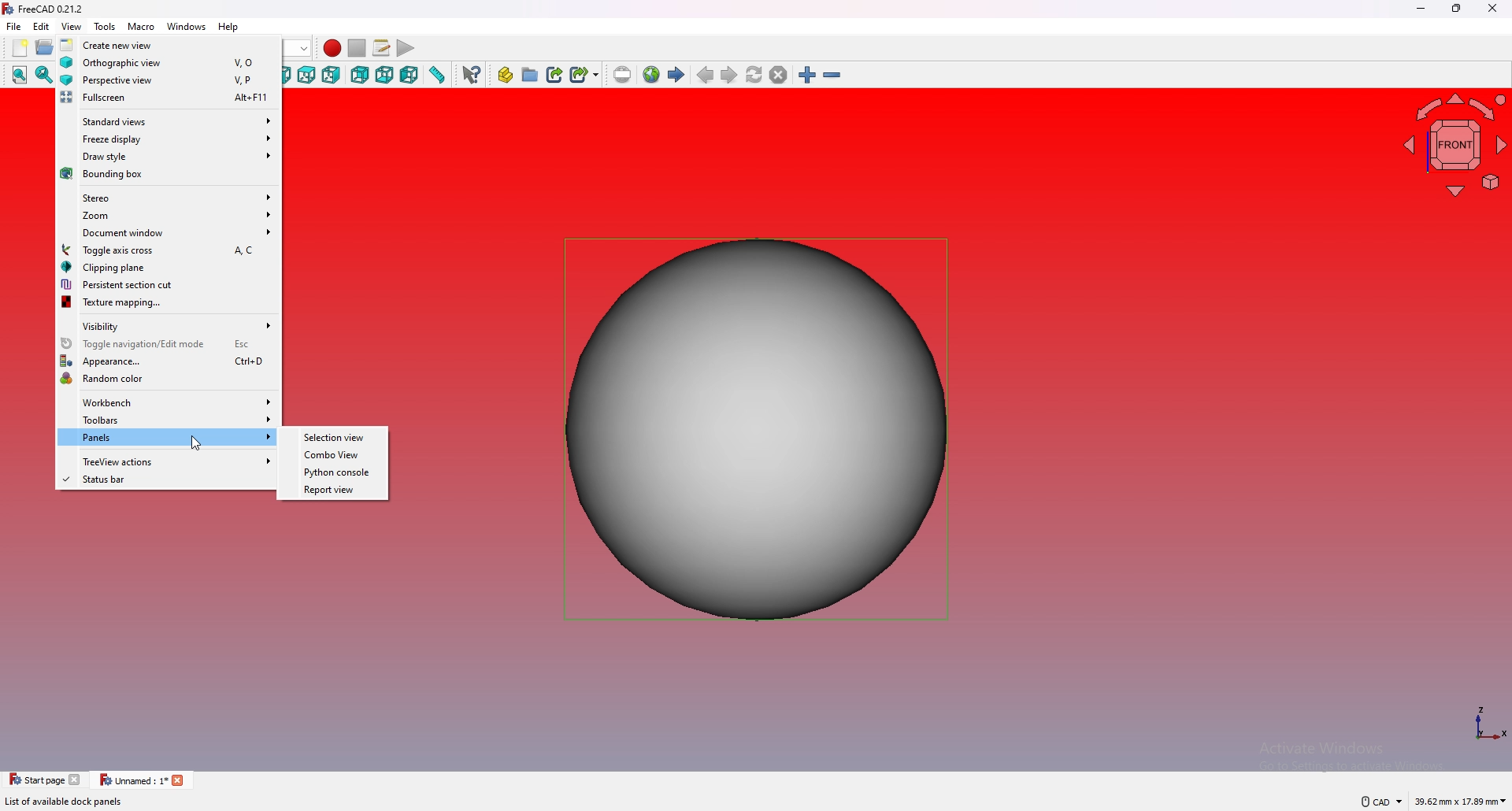  Describe the element at coordinates (169, 61) in the screenshot. I see `orthographic view` at that location.